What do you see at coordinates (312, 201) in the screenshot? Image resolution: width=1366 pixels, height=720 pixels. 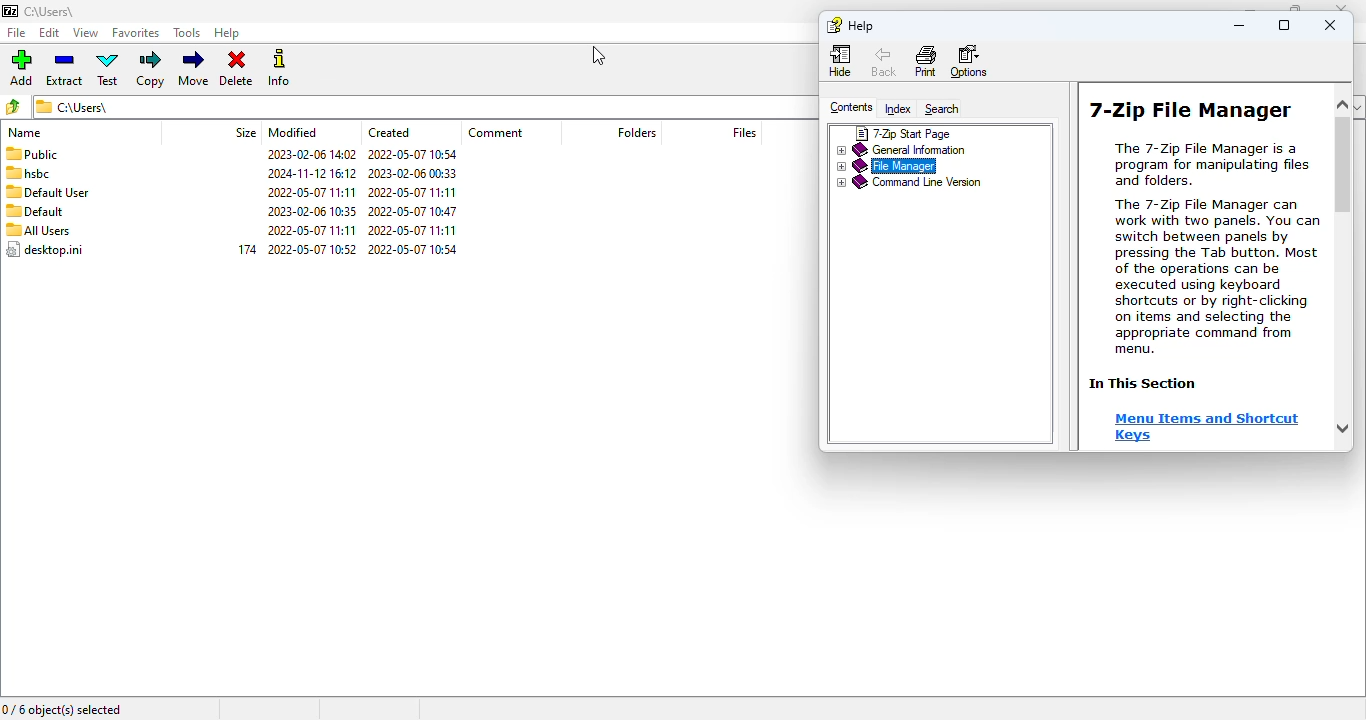 I see `modified date & time` at bounding box center [312, 201].